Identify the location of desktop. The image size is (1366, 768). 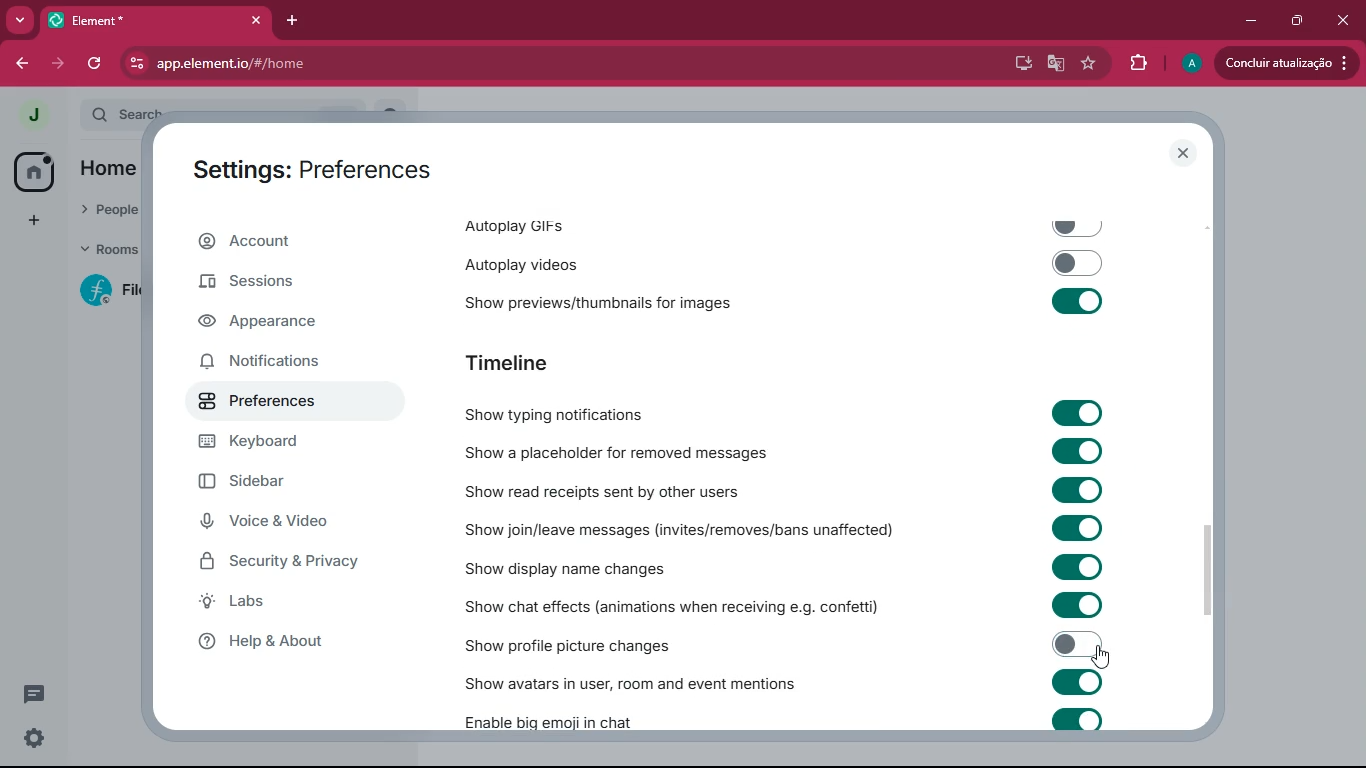
(1019, 63).